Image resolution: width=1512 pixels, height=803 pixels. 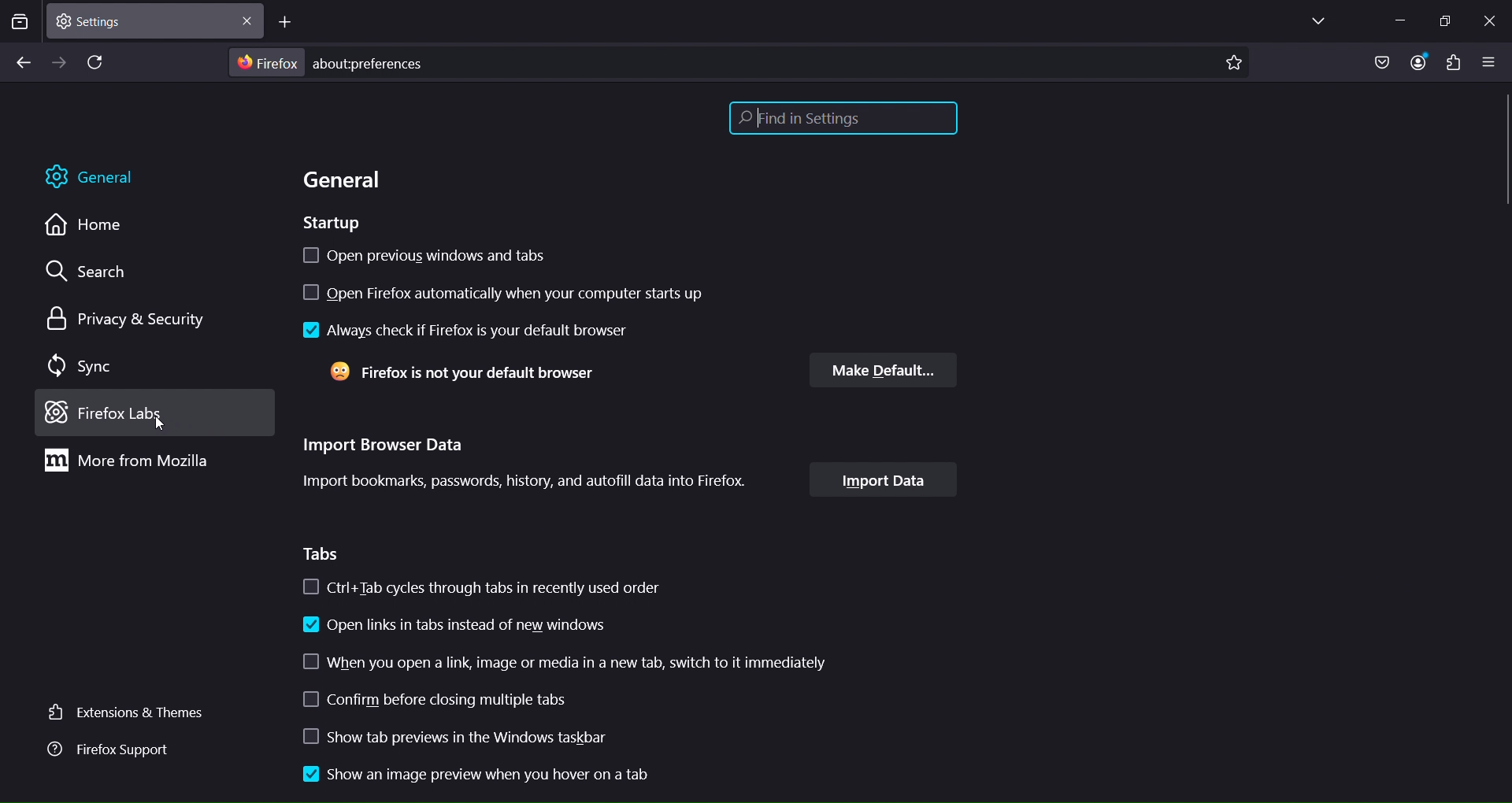 What do you see at coordinates (22, 62) in the screenshot?
I see `go back one page` at bounding box center [22, 62].